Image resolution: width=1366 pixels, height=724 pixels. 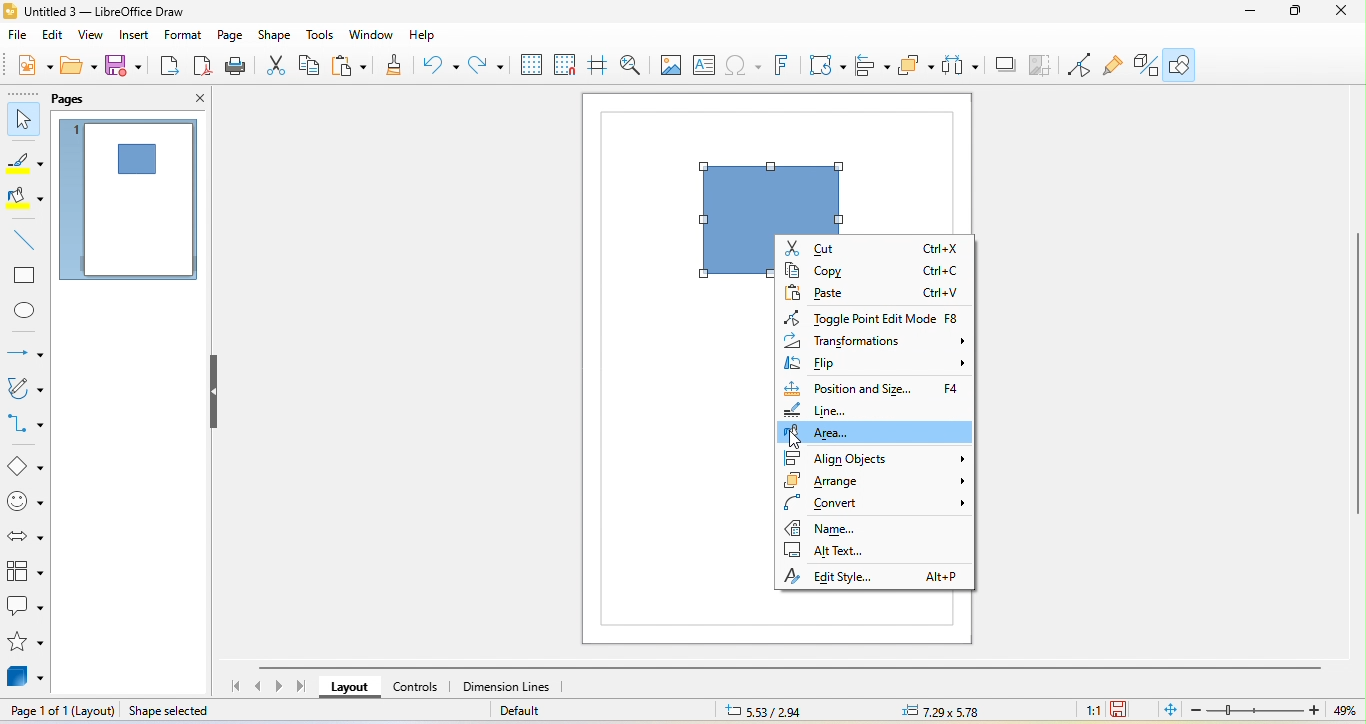 What do you see at coordinates (1079, 65) in the screenshot?
I see `point edit mode` at bounding box center [1079, 65].